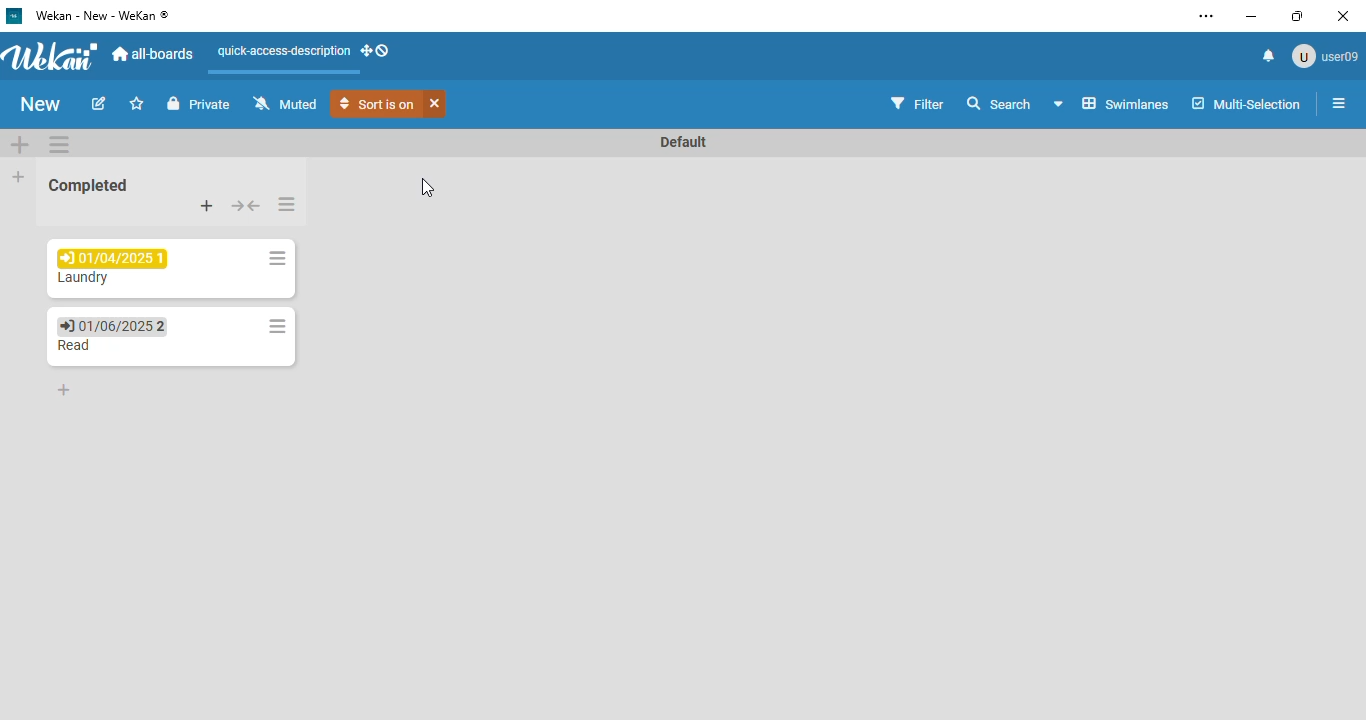  Describe the element at coordinates (86, 278) in the screenshot. I see `Laundry` at that location.